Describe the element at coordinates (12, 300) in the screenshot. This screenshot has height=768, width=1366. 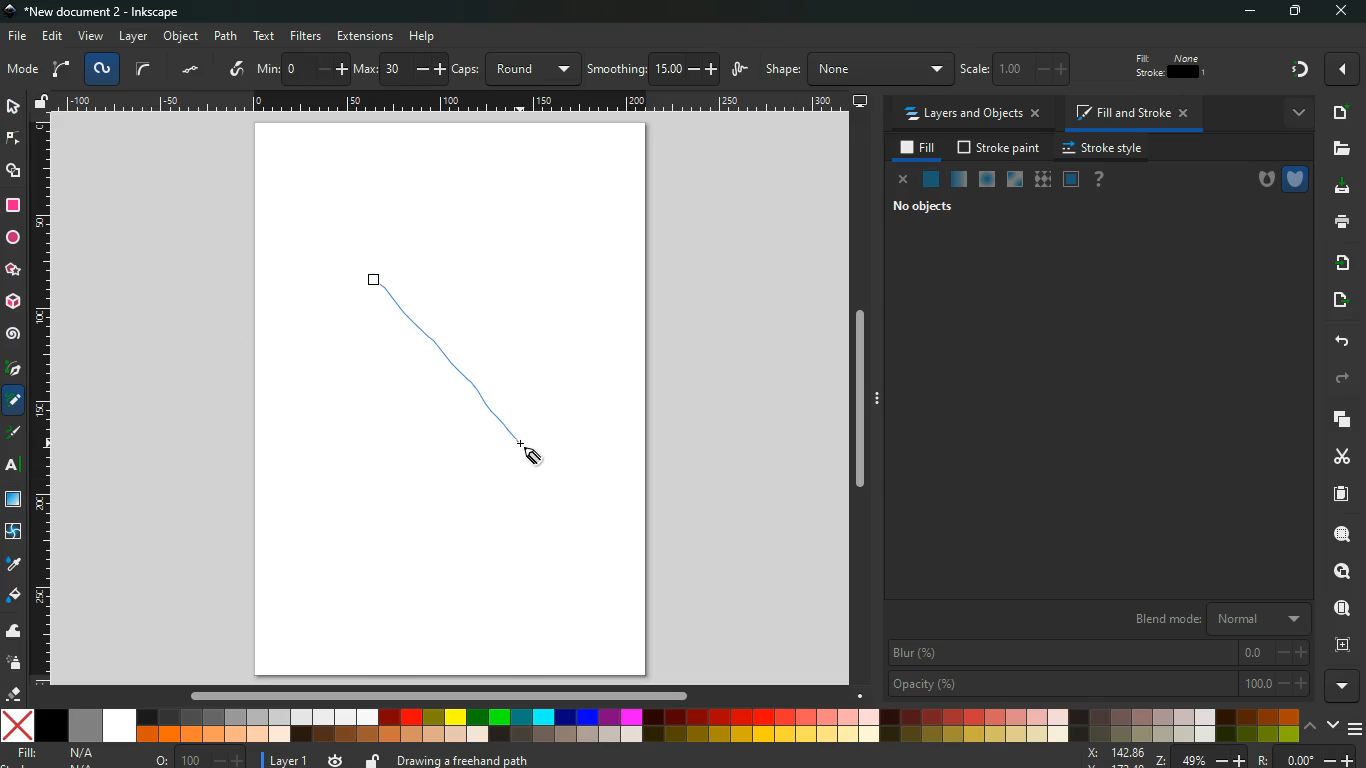
I see `3d tool box` at that location.